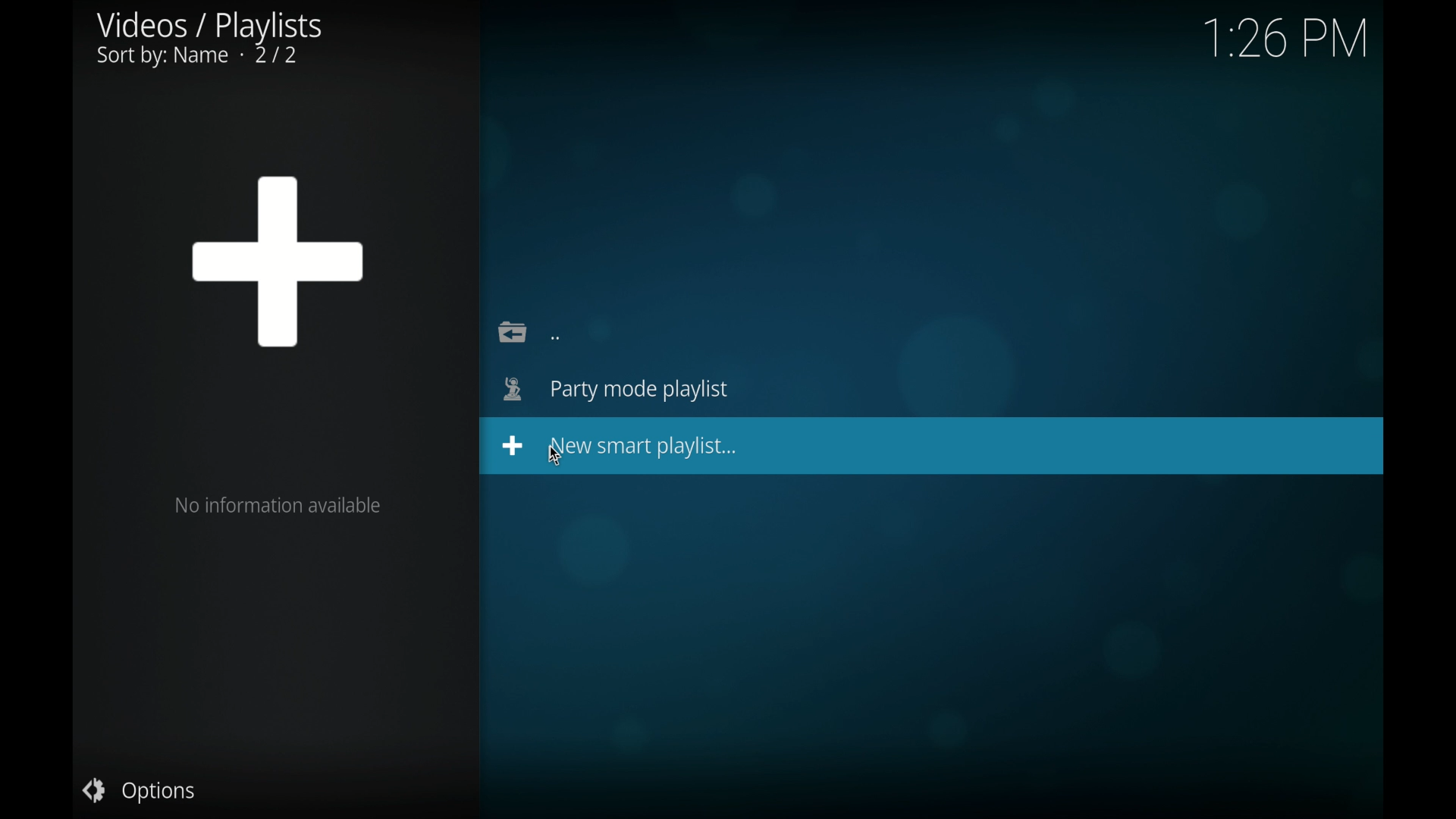  Describe the element at coordinates (138, 790) in the screenshot. I see `options` at that location.